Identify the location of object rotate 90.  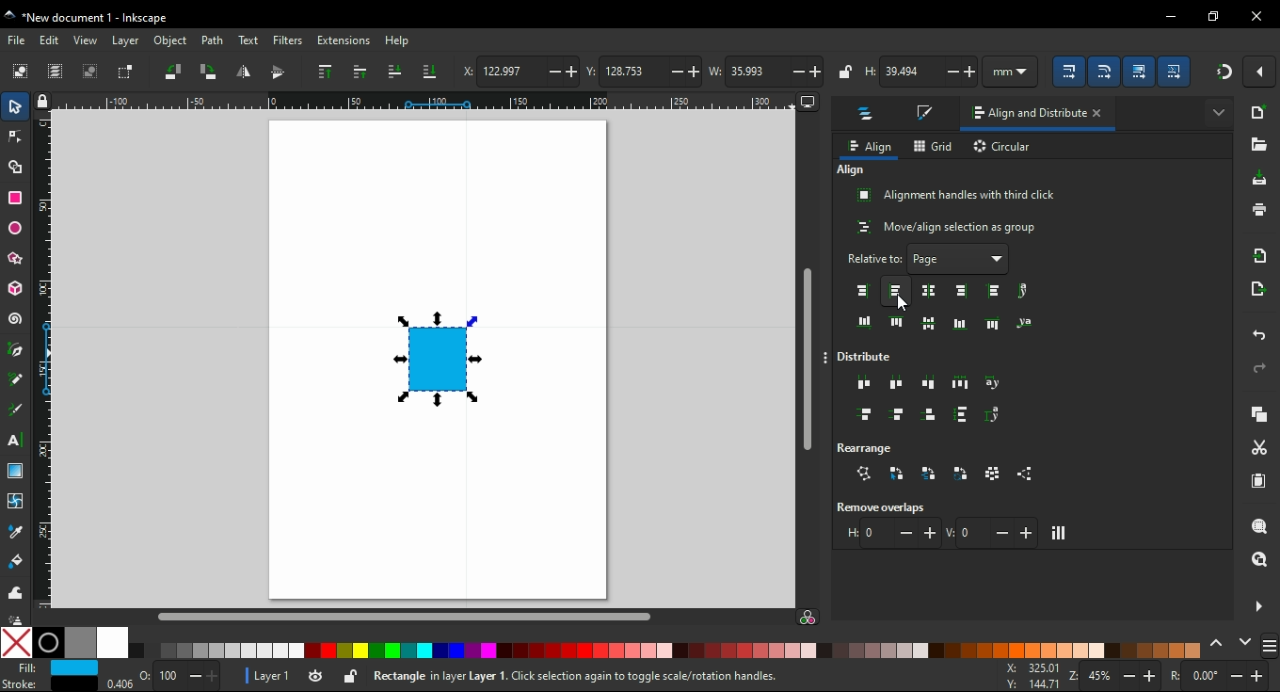
(211, 72).